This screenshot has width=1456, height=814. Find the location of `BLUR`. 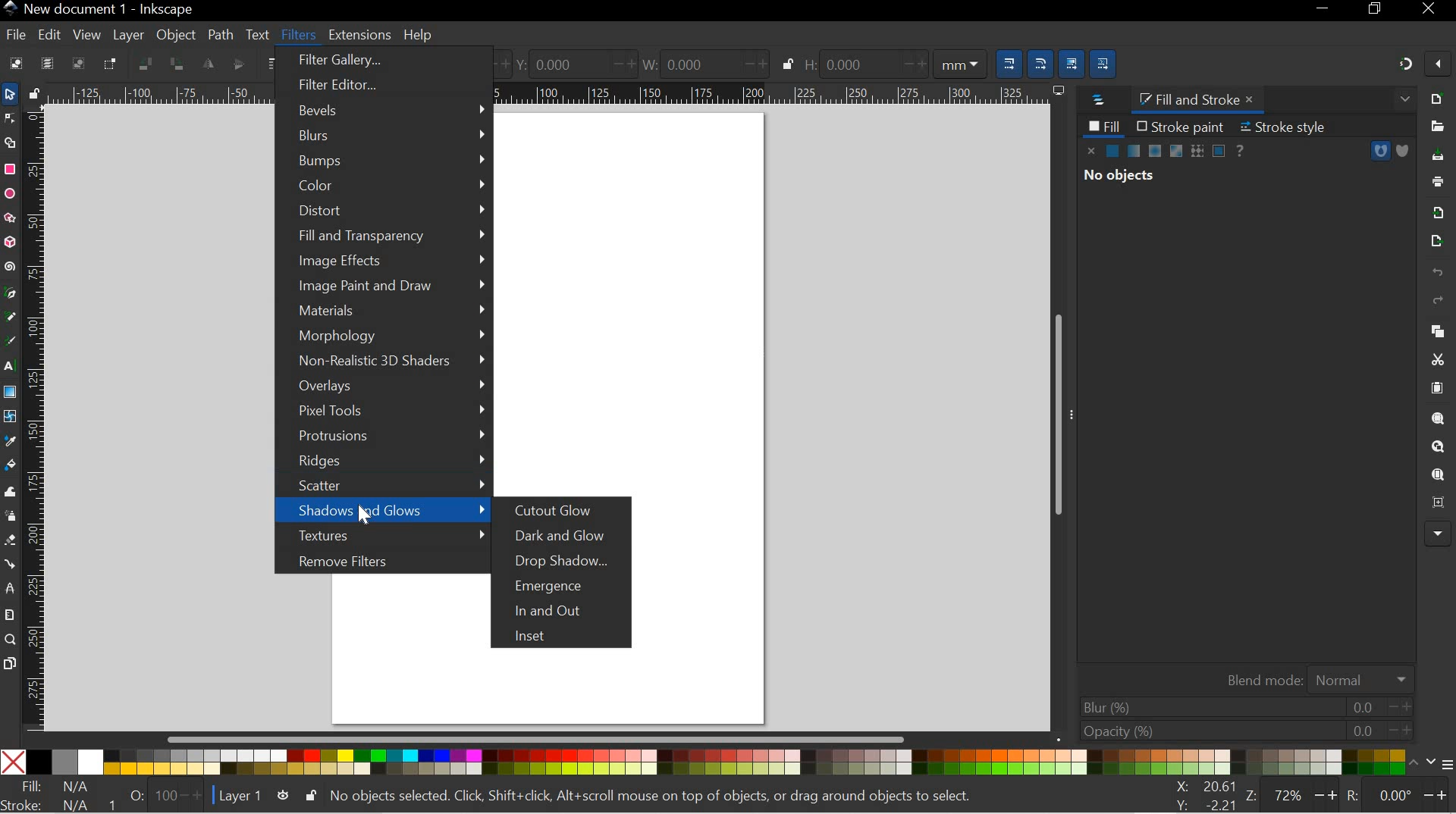

BLUR is located at coordinates (1244, 706).